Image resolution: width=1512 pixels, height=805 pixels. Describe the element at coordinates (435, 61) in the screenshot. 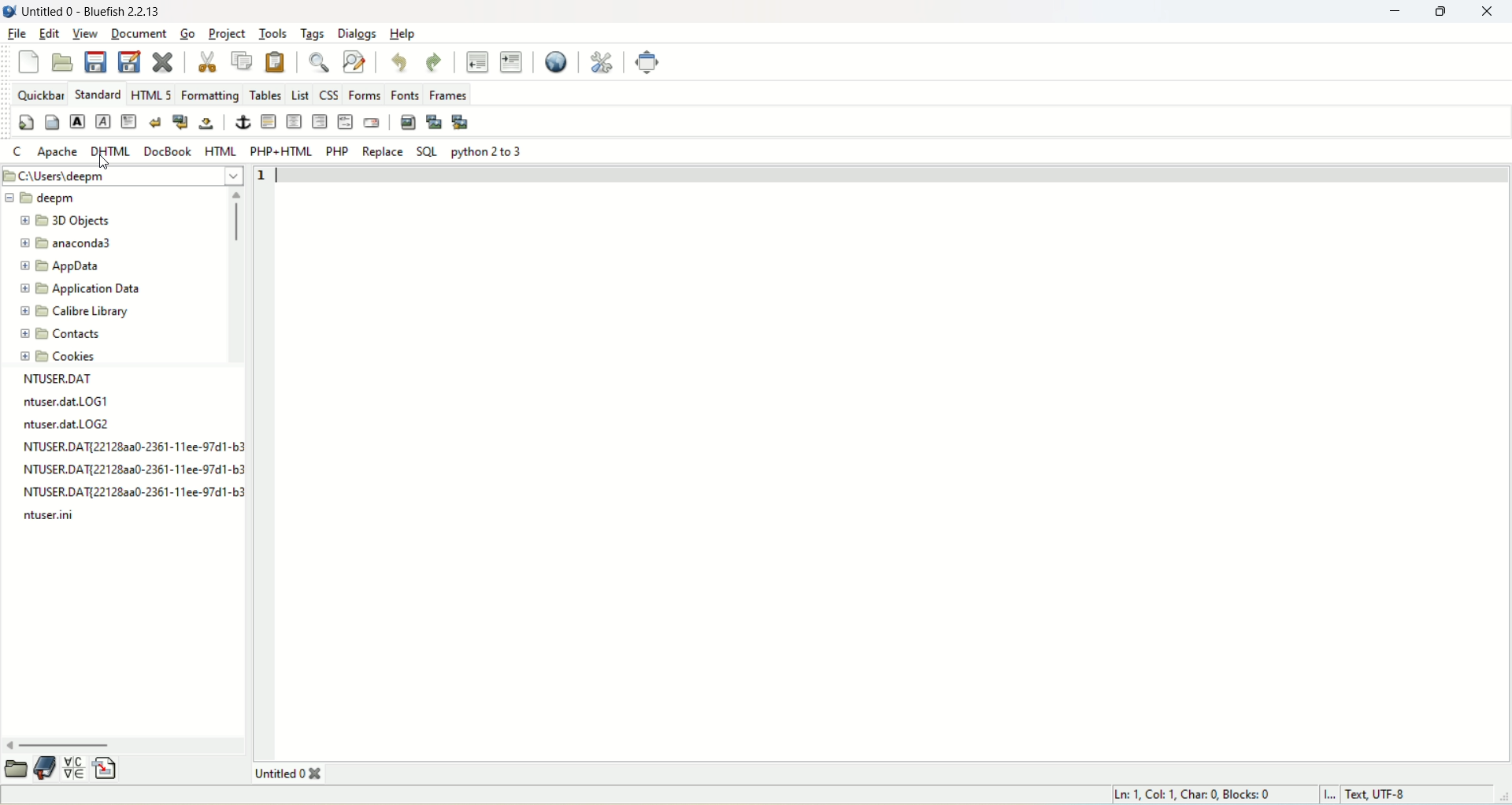

I see `redo` at that location.